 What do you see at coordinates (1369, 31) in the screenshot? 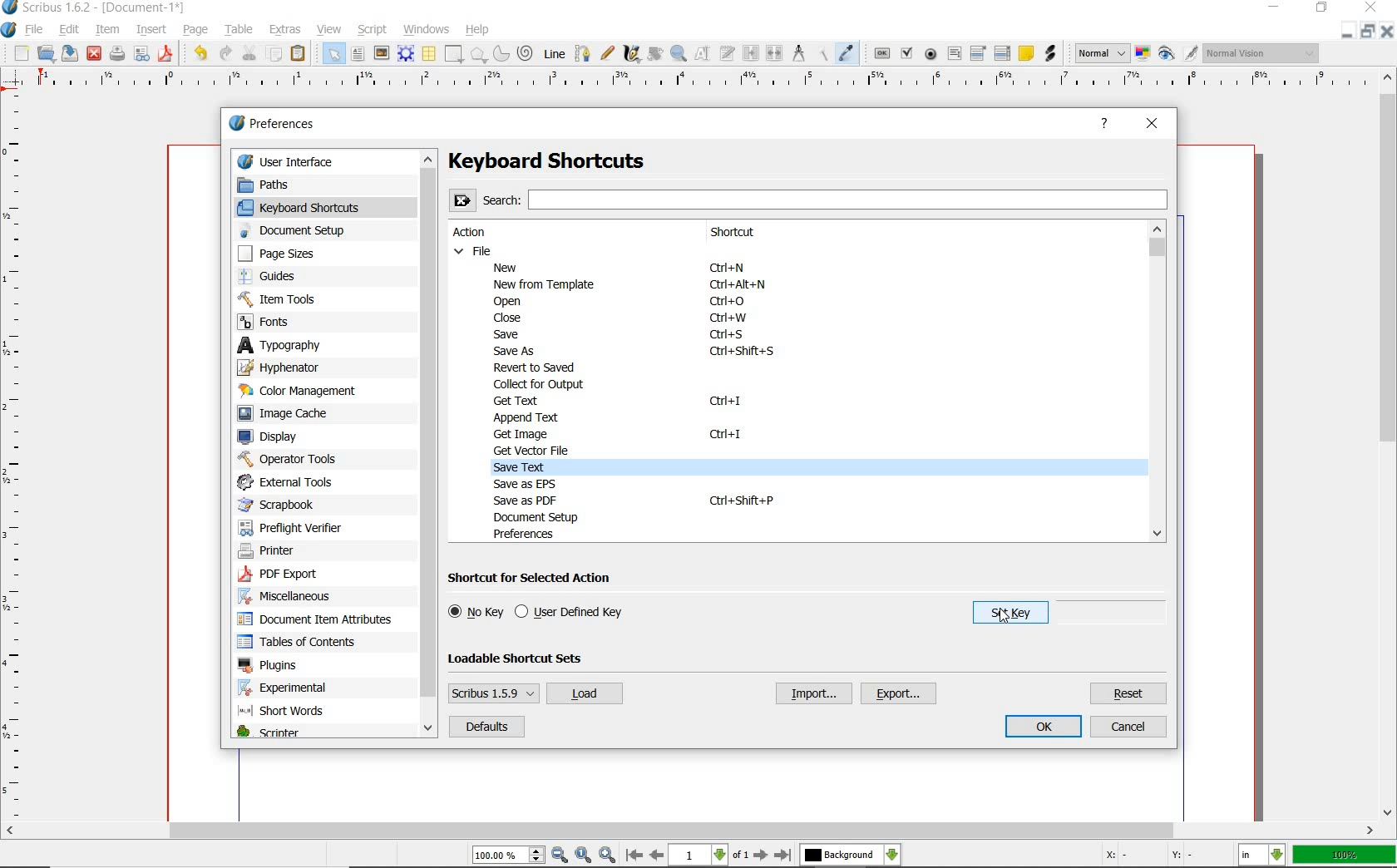
I see `minimize` at bounding box center [1369, 31].